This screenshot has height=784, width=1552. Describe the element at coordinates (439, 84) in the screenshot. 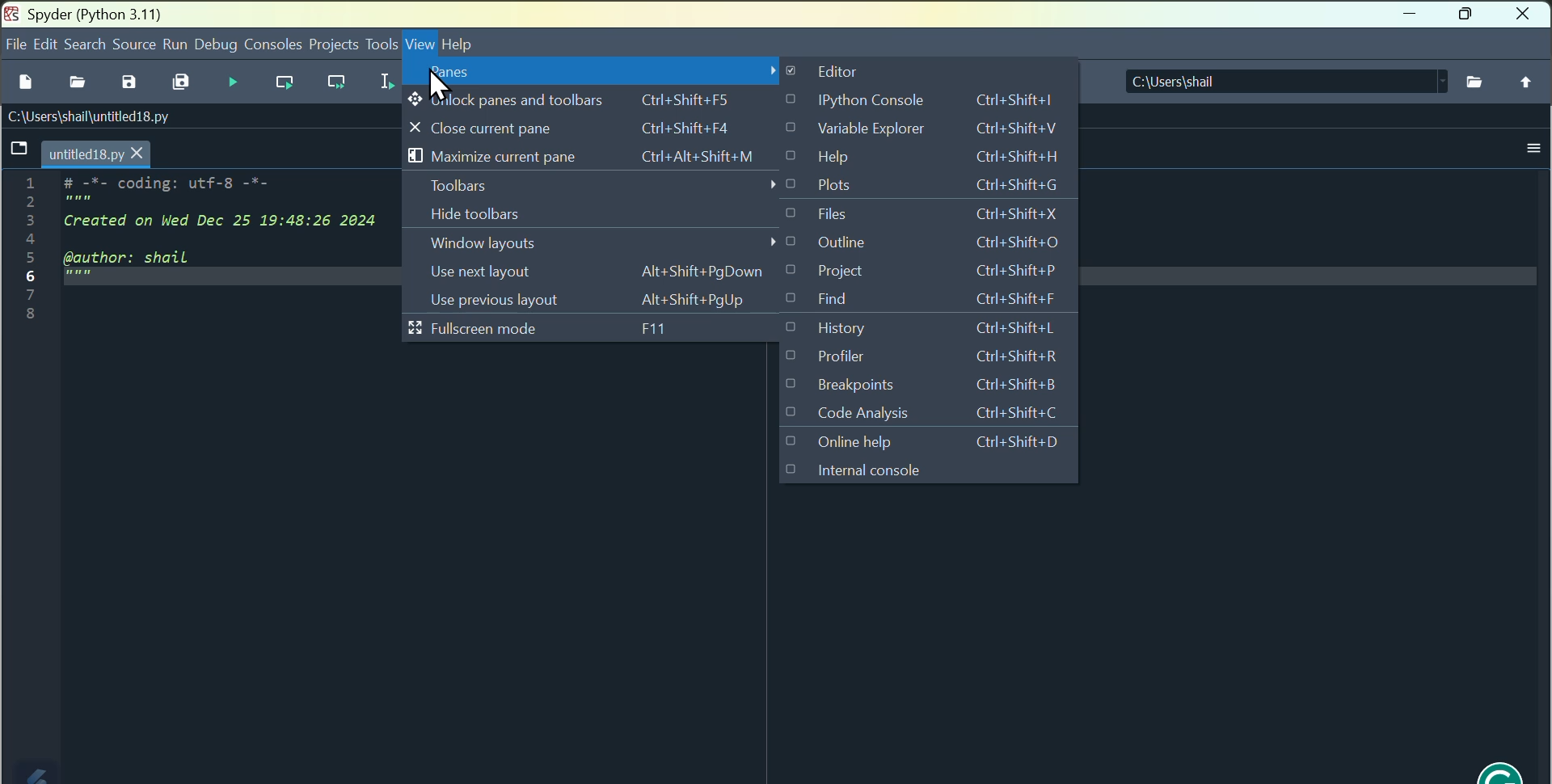

I see `Cursor` at that location.